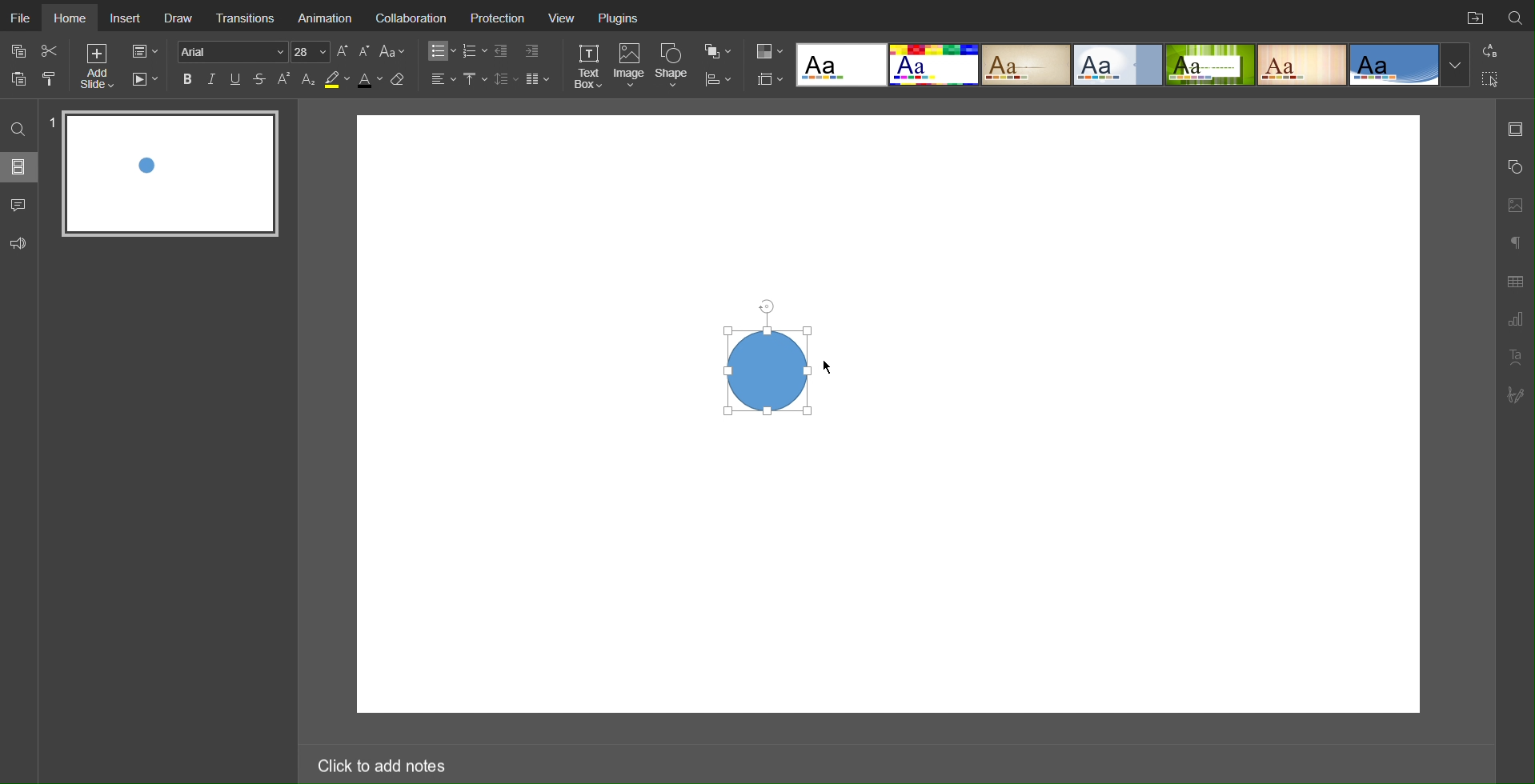 This screenshot has height=784, width=1535. What do you see at coordinates (260, 79) in the screenshot?
I see `Strikethrough` at bounding box center [260, 79].